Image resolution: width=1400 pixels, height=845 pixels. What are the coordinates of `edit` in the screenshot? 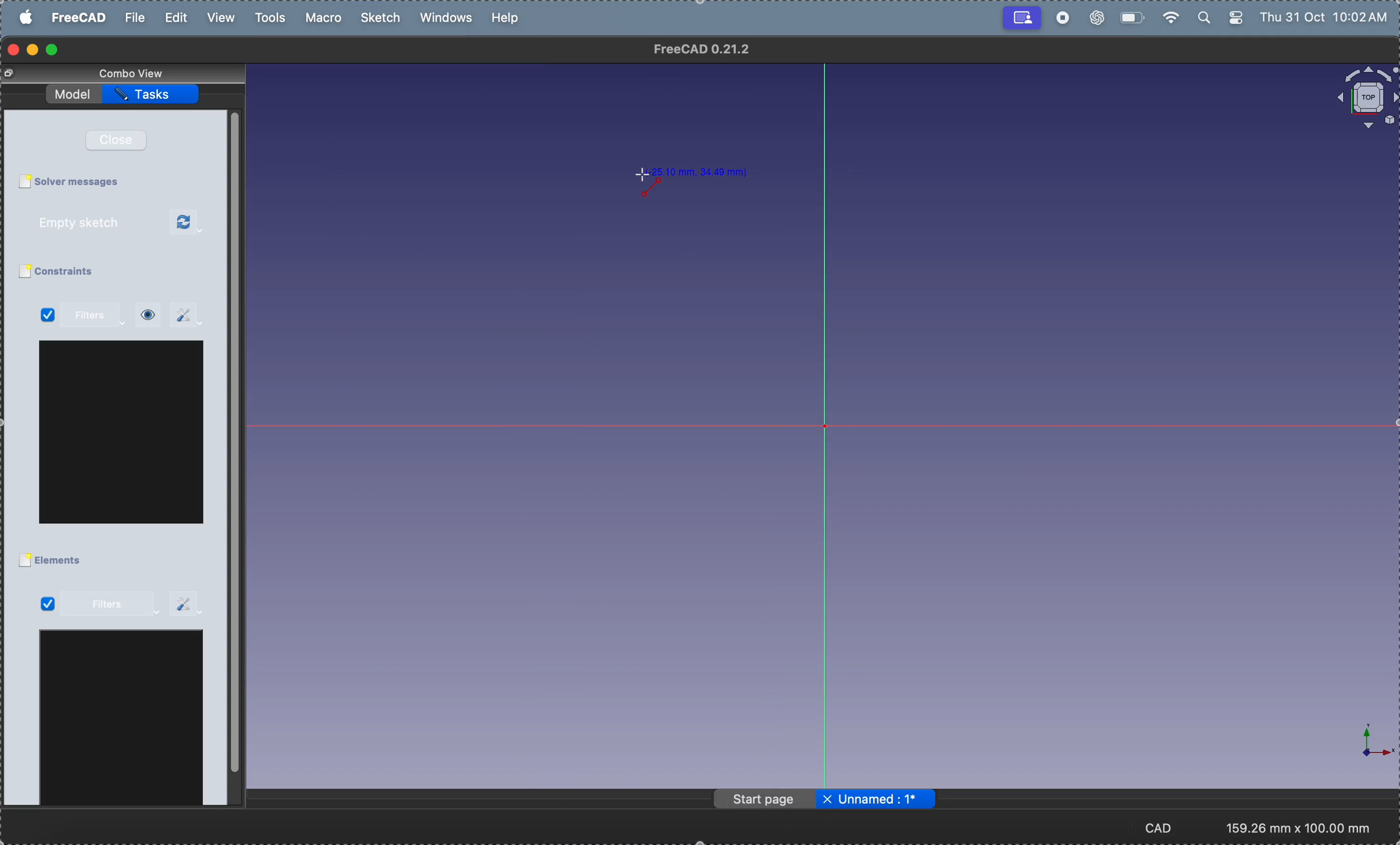 It's located at (178, 18).